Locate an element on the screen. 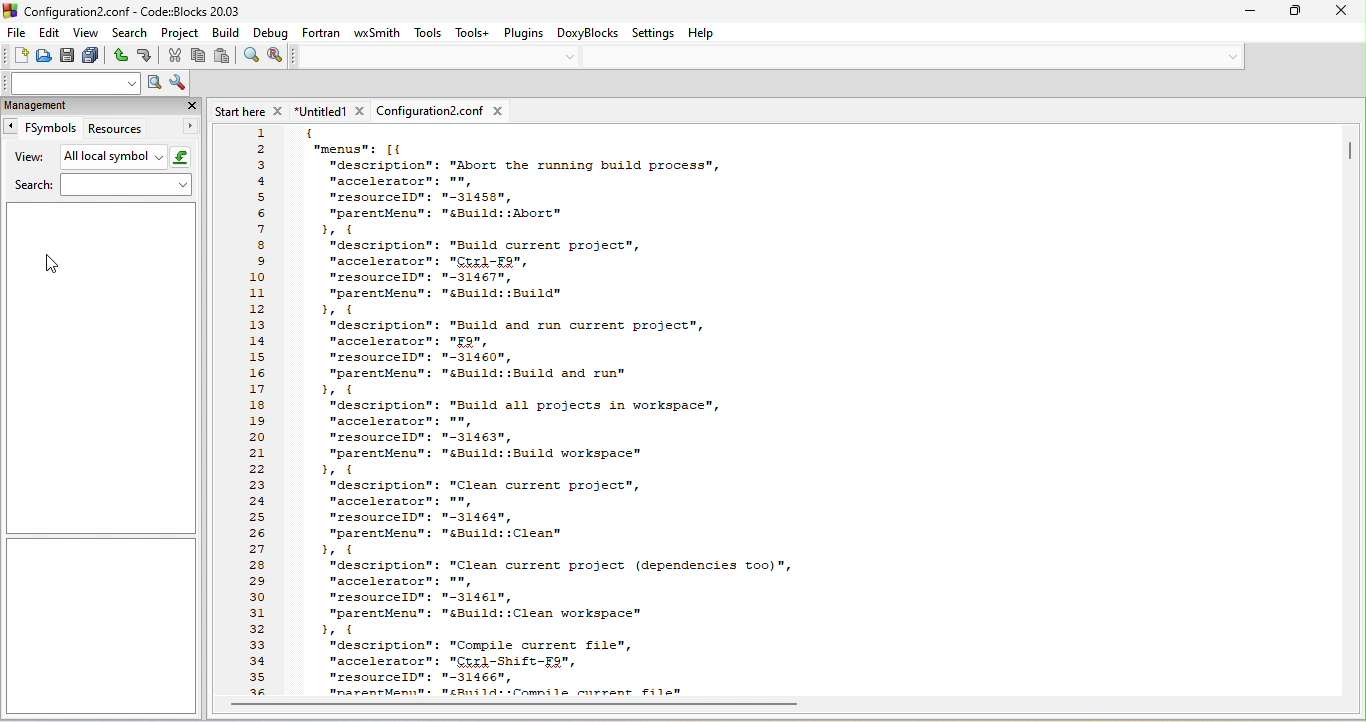 This screenshot has width=1366, height=722. edit is located at coordinates (53, 33).